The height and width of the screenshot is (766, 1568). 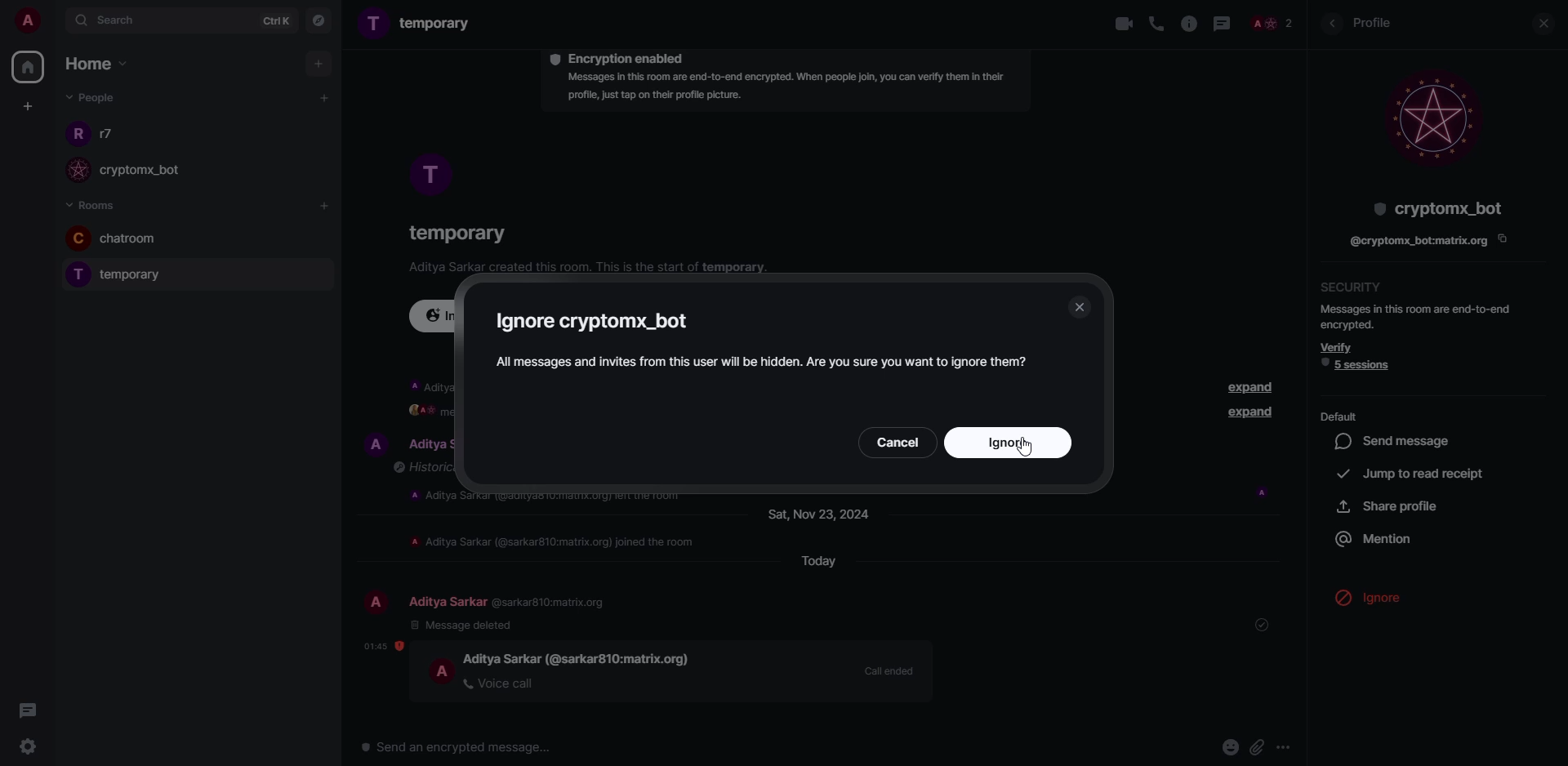 What do you see at coordinates (1360, 364) in the screenshot?
I see `5 session` at bounding box center [1360, 364].